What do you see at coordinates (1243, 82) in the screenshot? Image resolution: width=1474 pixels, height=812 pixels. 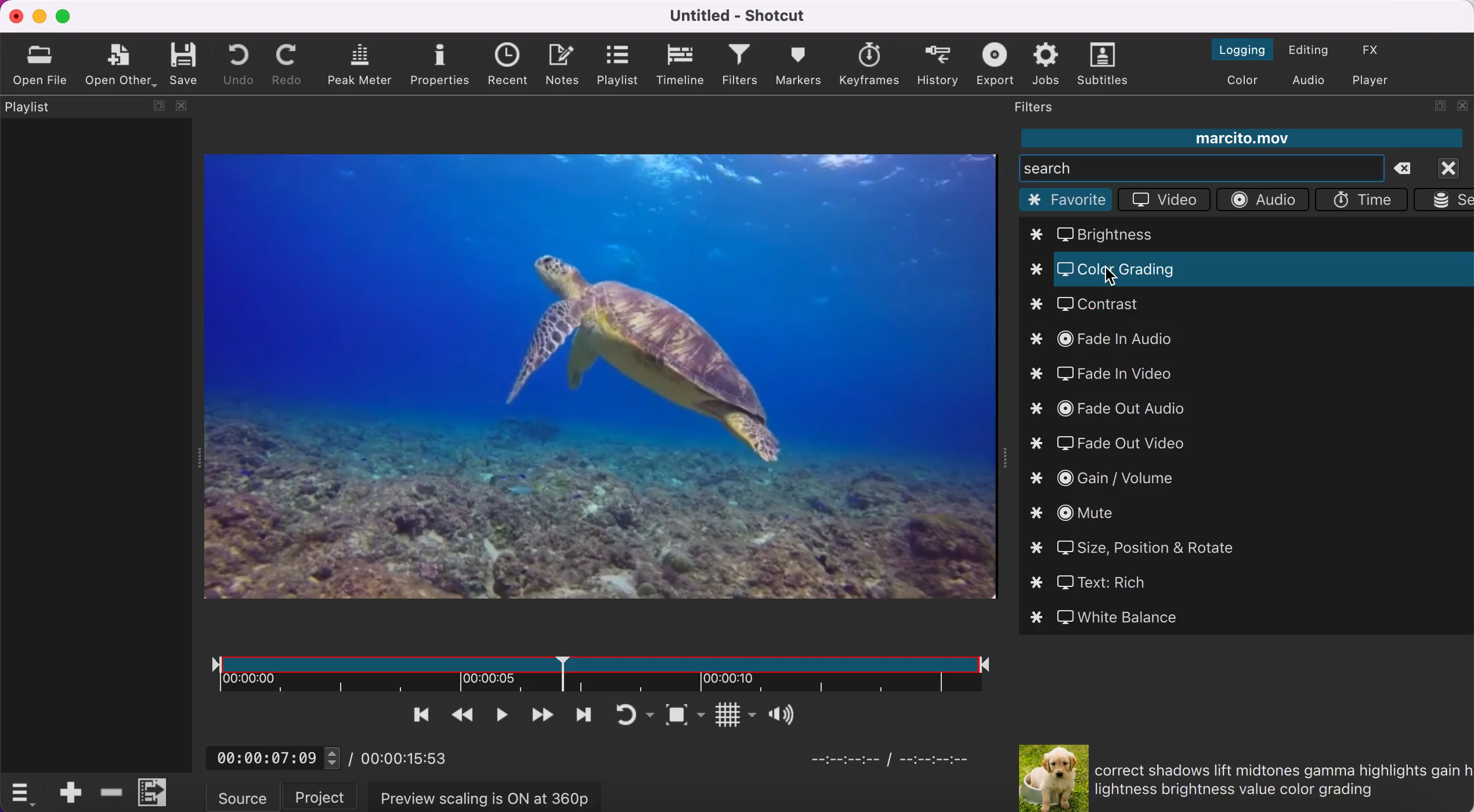 I see `switch to the color layout` at bounding box center [1243, 82].